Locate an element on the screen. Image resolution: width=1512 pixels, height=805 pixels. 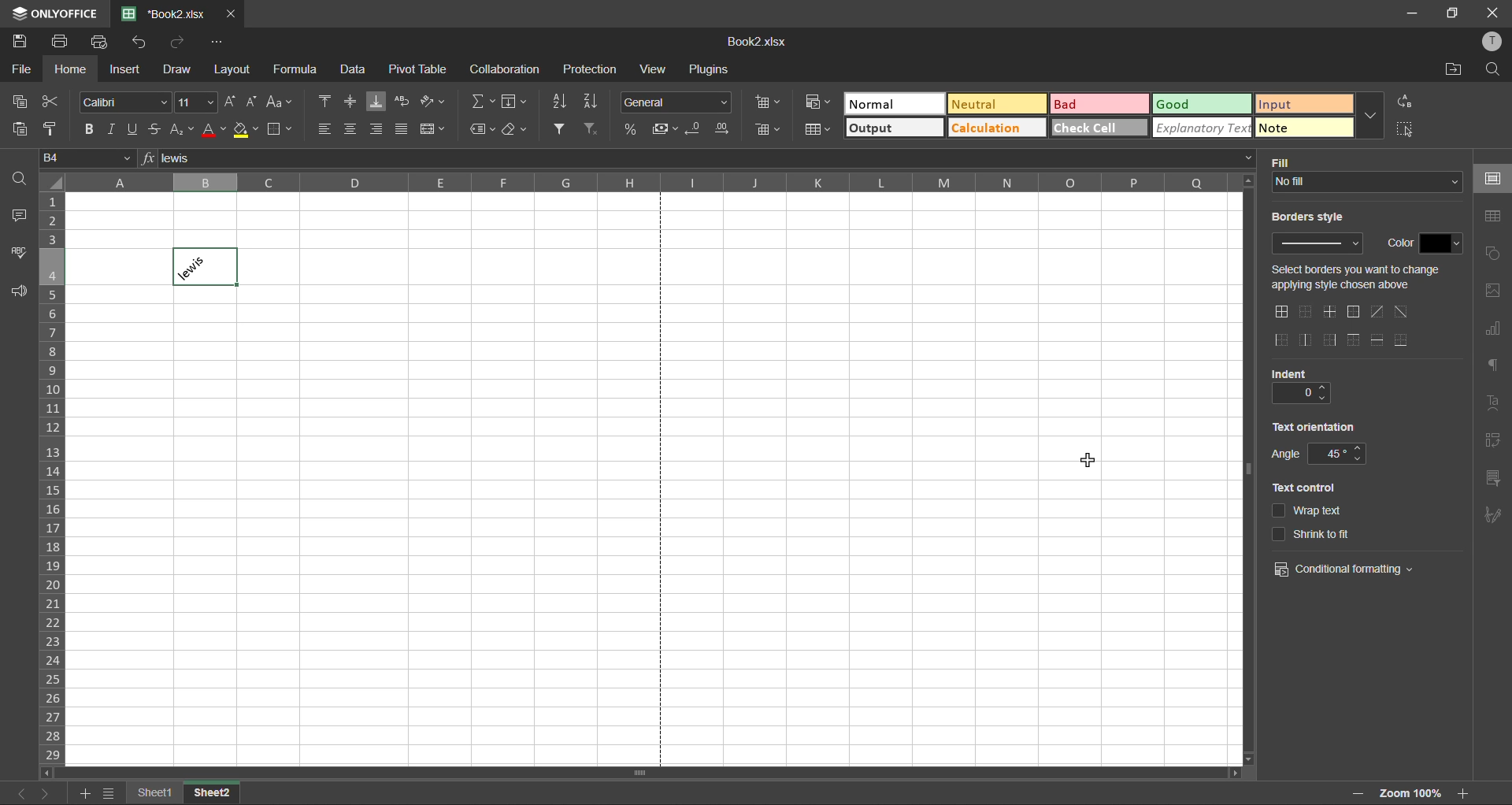
copy style is located at coordinates (57, 132).